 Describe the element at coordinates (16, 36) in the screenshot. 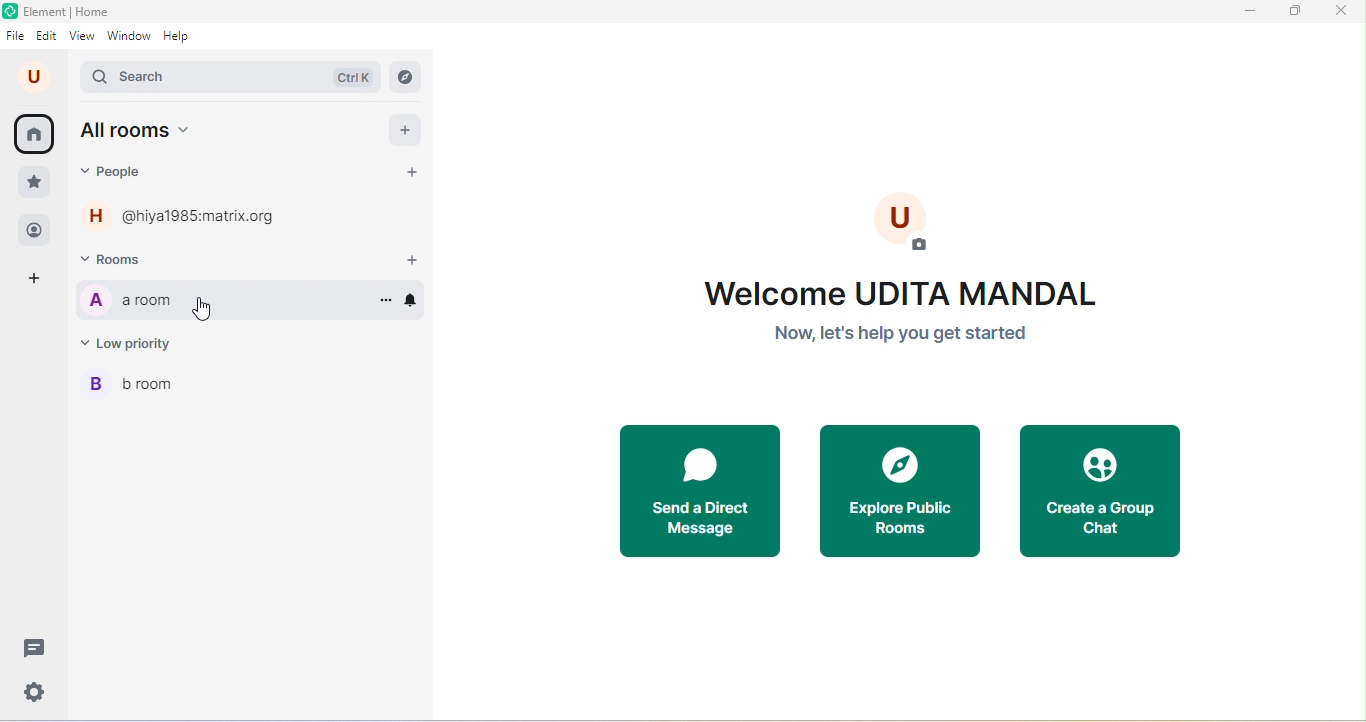

I see `file` at that location.